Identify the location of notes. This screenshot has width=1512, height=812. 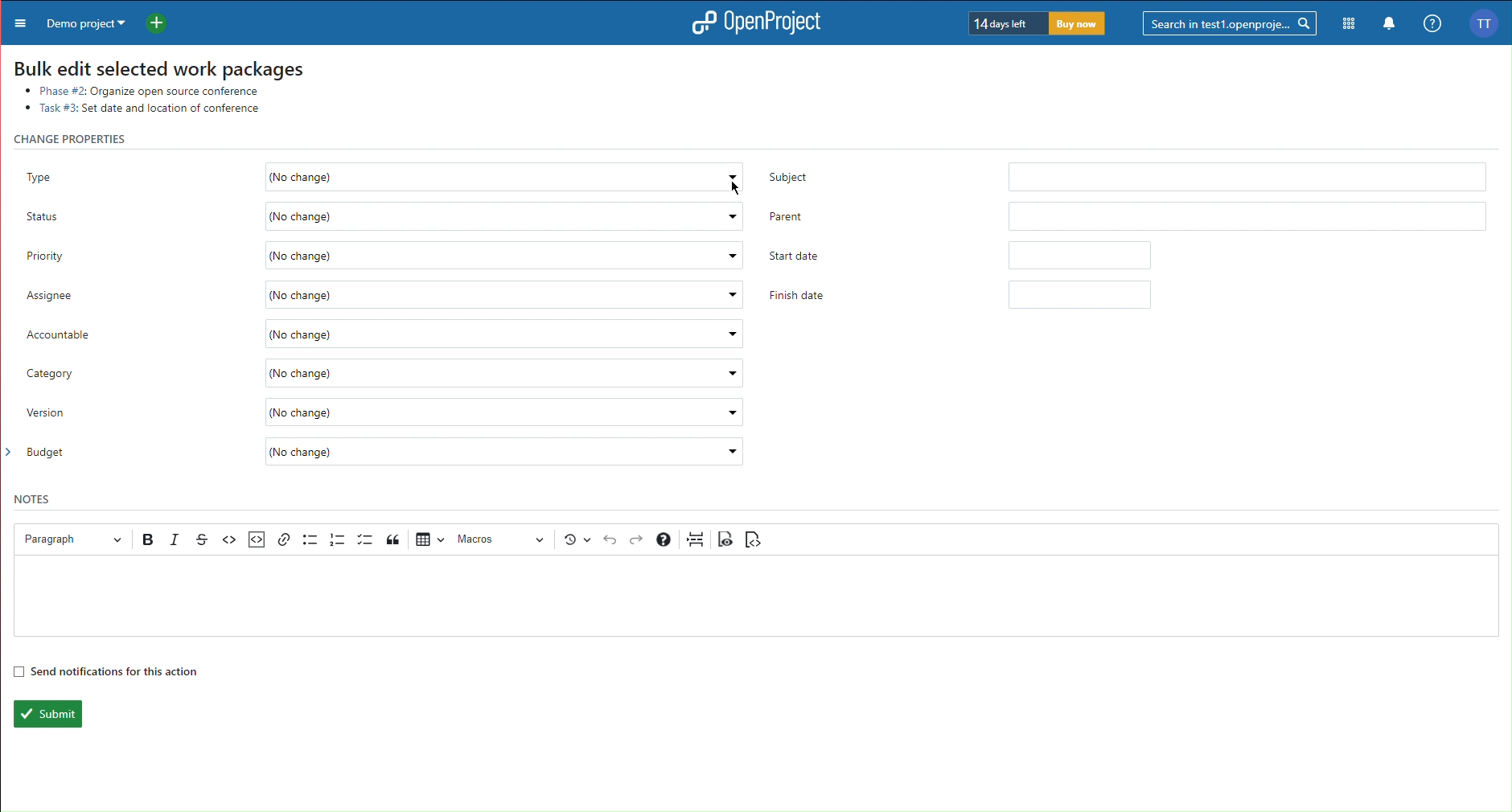
(35, 498).